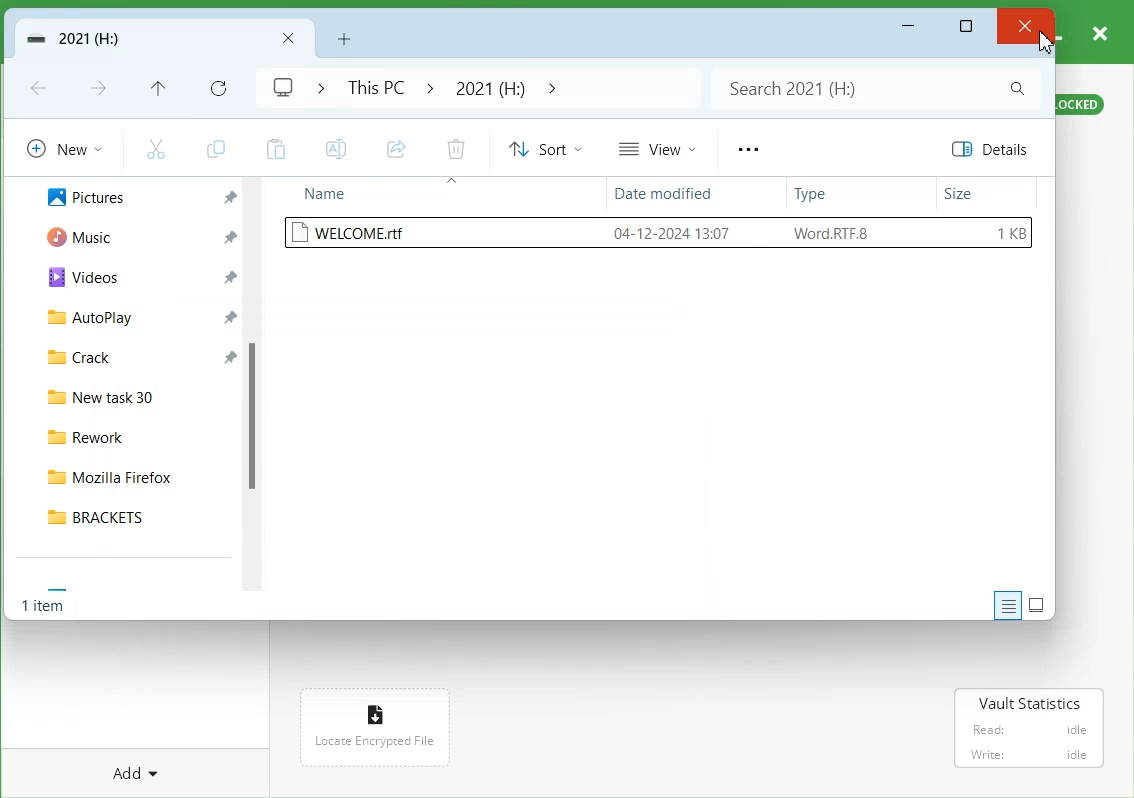 This screenshot has width=1134, height=798. I want to click on Paste, so click(273, 147).